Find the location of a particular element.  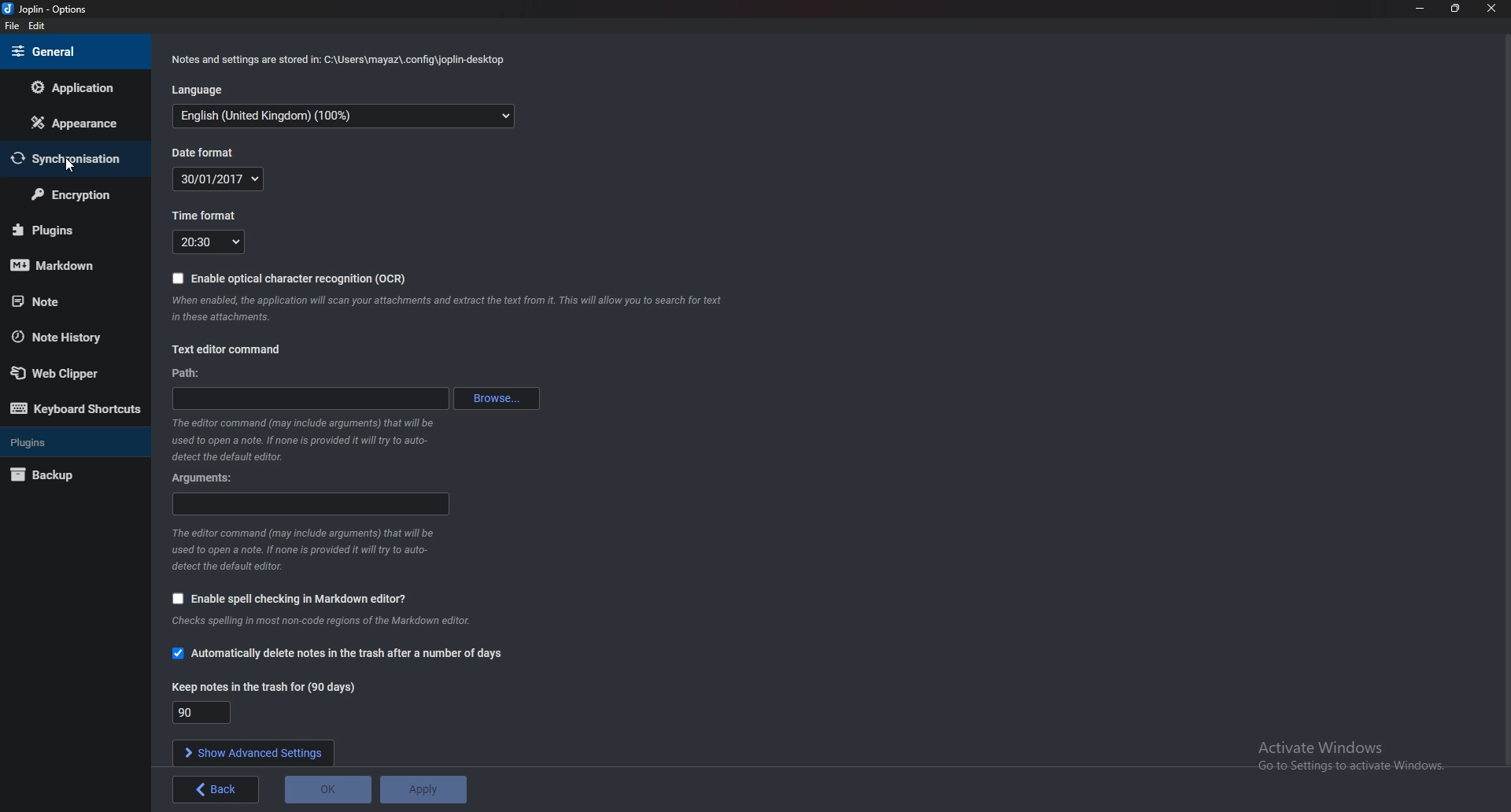

Date format is located at coordinates (208, 153).